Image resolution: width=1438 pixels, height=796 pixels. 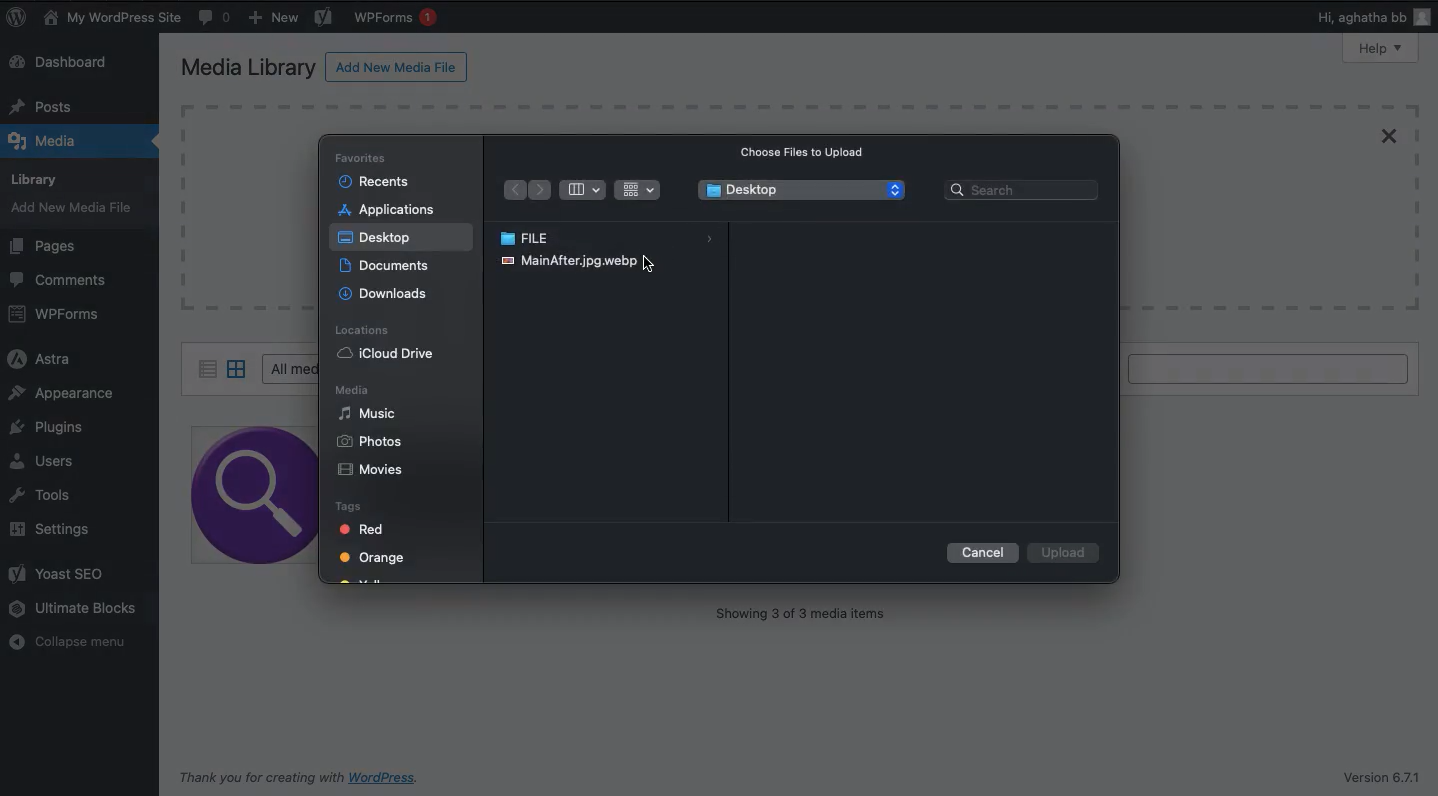 What do you see at coordinates (542, 191) in the screenshot?
I see `Forward` at bounding box center [542, 191].